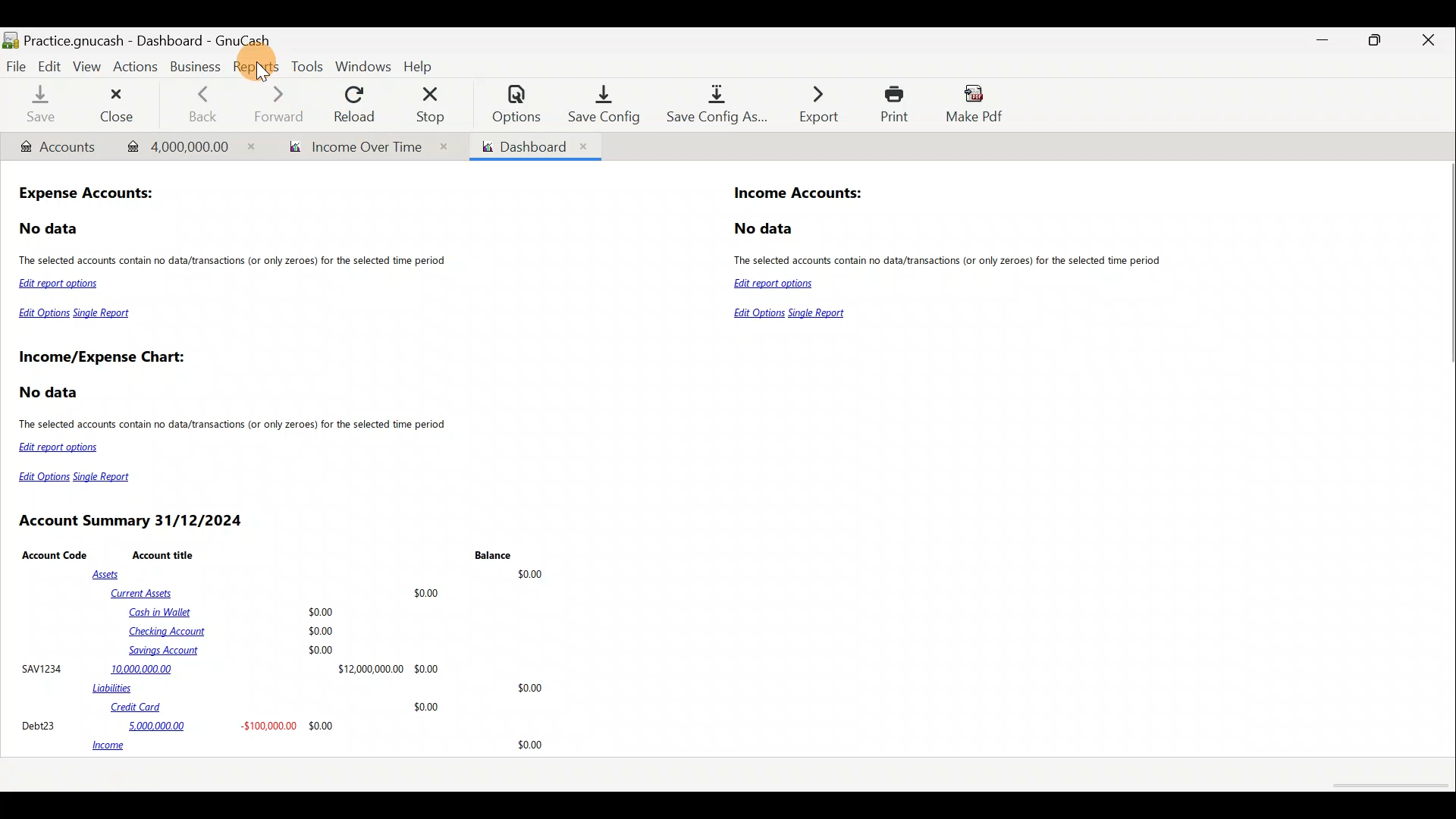  Describe the element at coordinates (890, 104) in the screenshot. I see `Print` at that location.